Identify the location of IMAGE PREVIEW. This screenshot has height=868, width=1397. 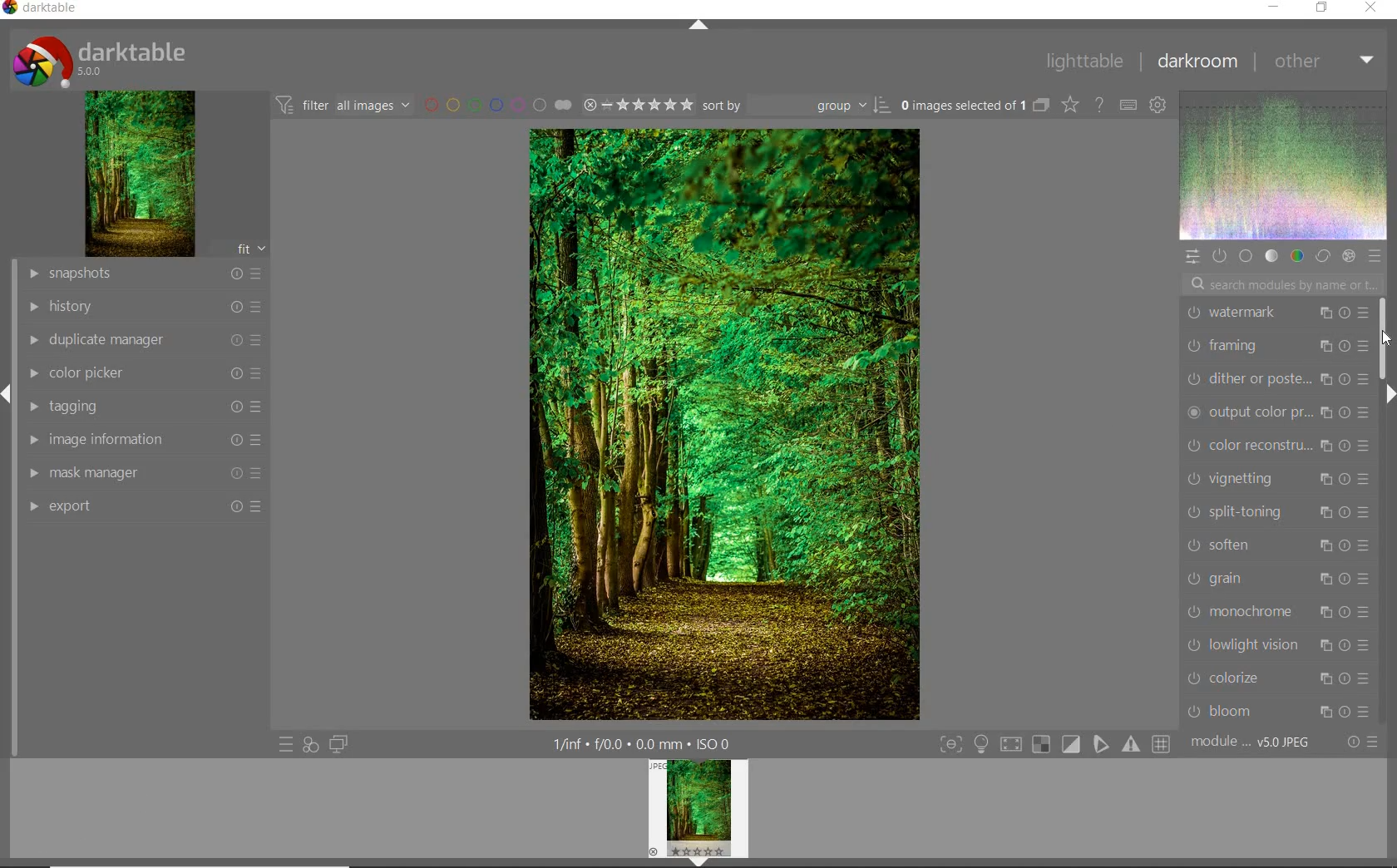
(698, 813).